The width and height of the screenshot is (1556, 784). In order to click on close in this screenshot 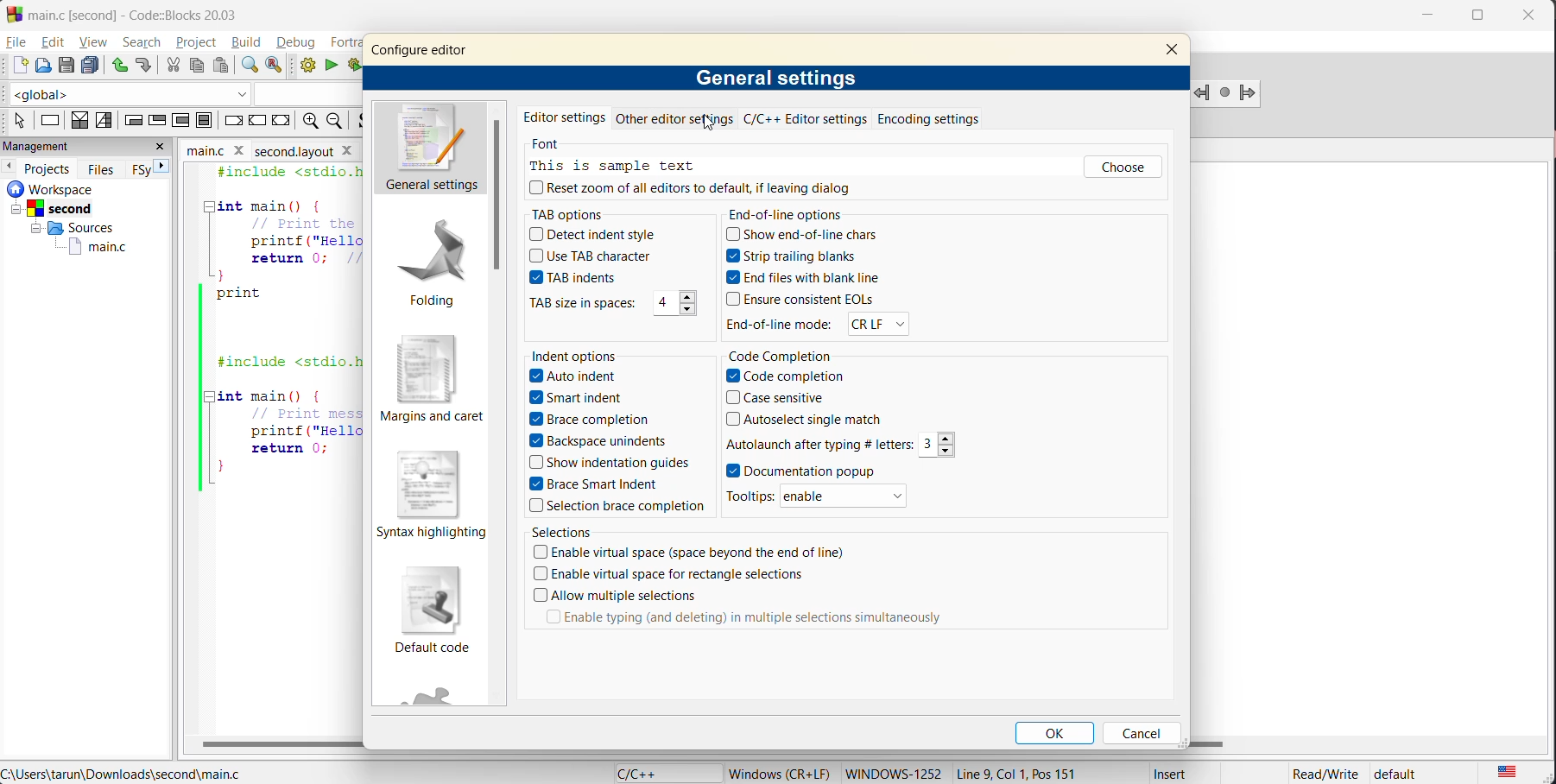, I will do `click(161, 146)`.